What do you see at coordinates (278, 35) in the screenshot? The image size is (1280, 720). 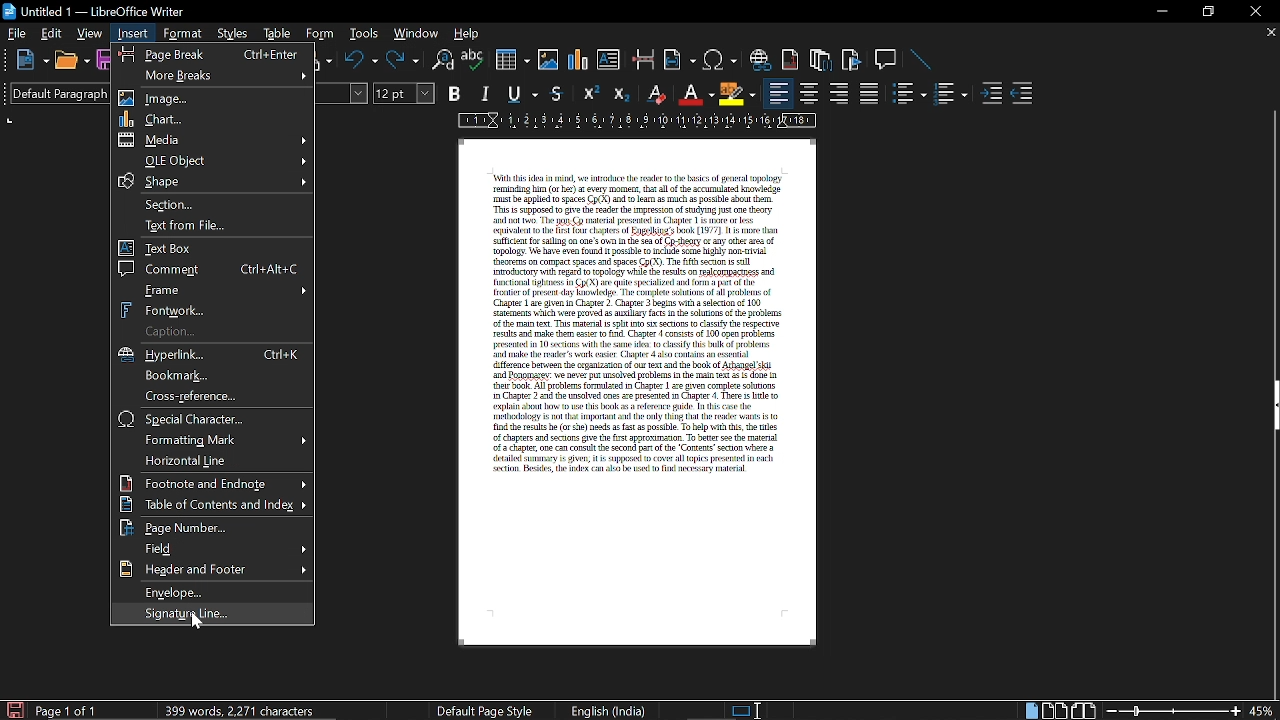 I see `table` at bounding box center [278, 35].